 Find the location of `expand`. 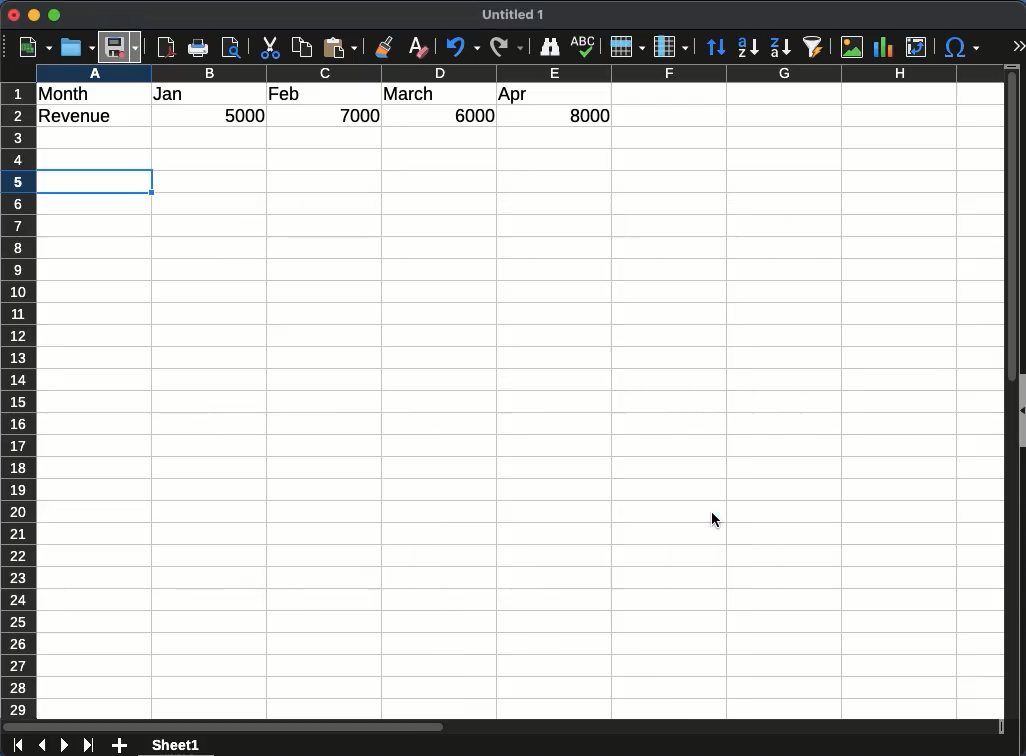

expand is located at coordinates (1018, 46).